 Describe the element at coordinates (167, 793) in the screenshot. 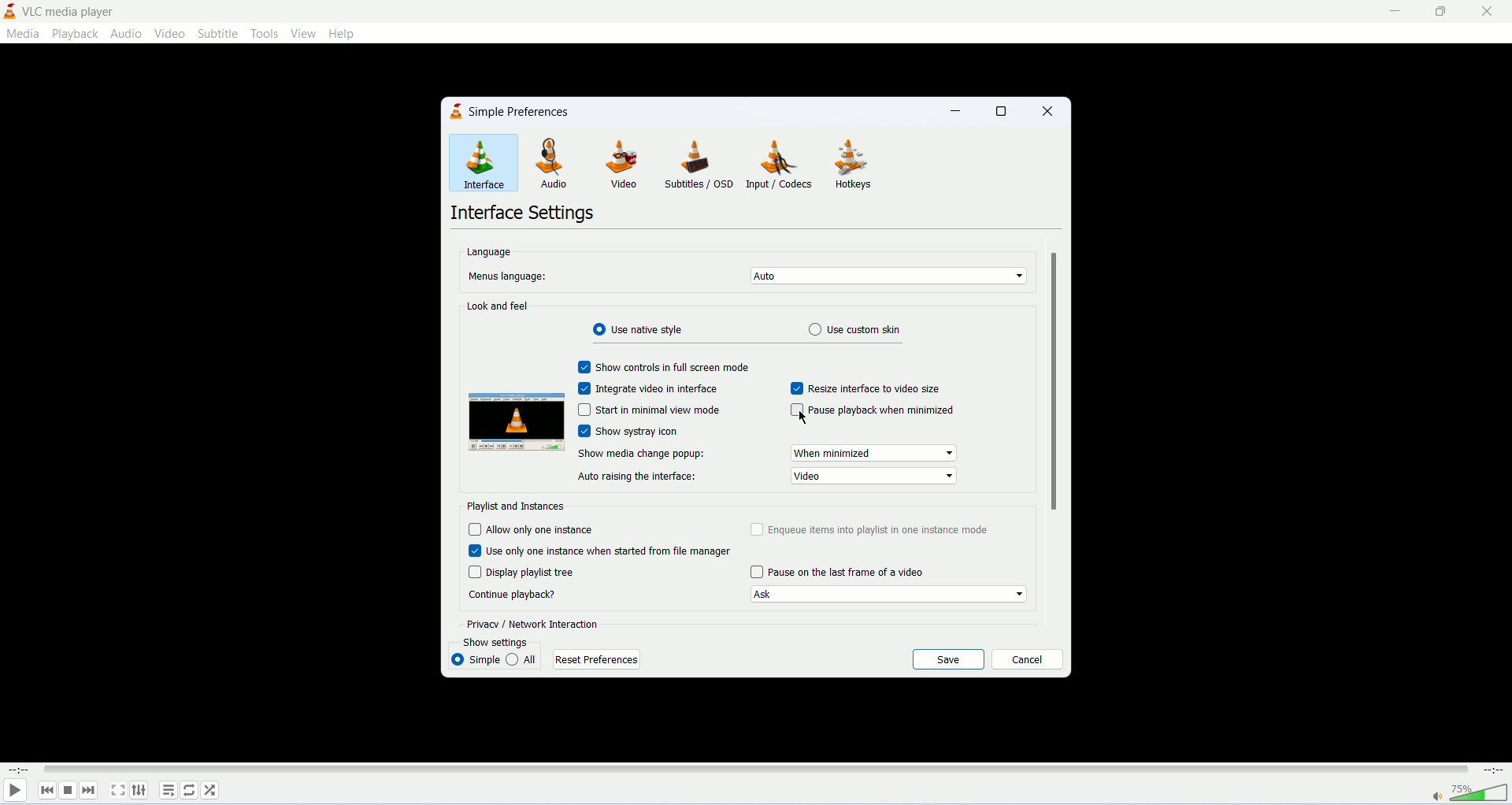

I see `playlist` at that location.